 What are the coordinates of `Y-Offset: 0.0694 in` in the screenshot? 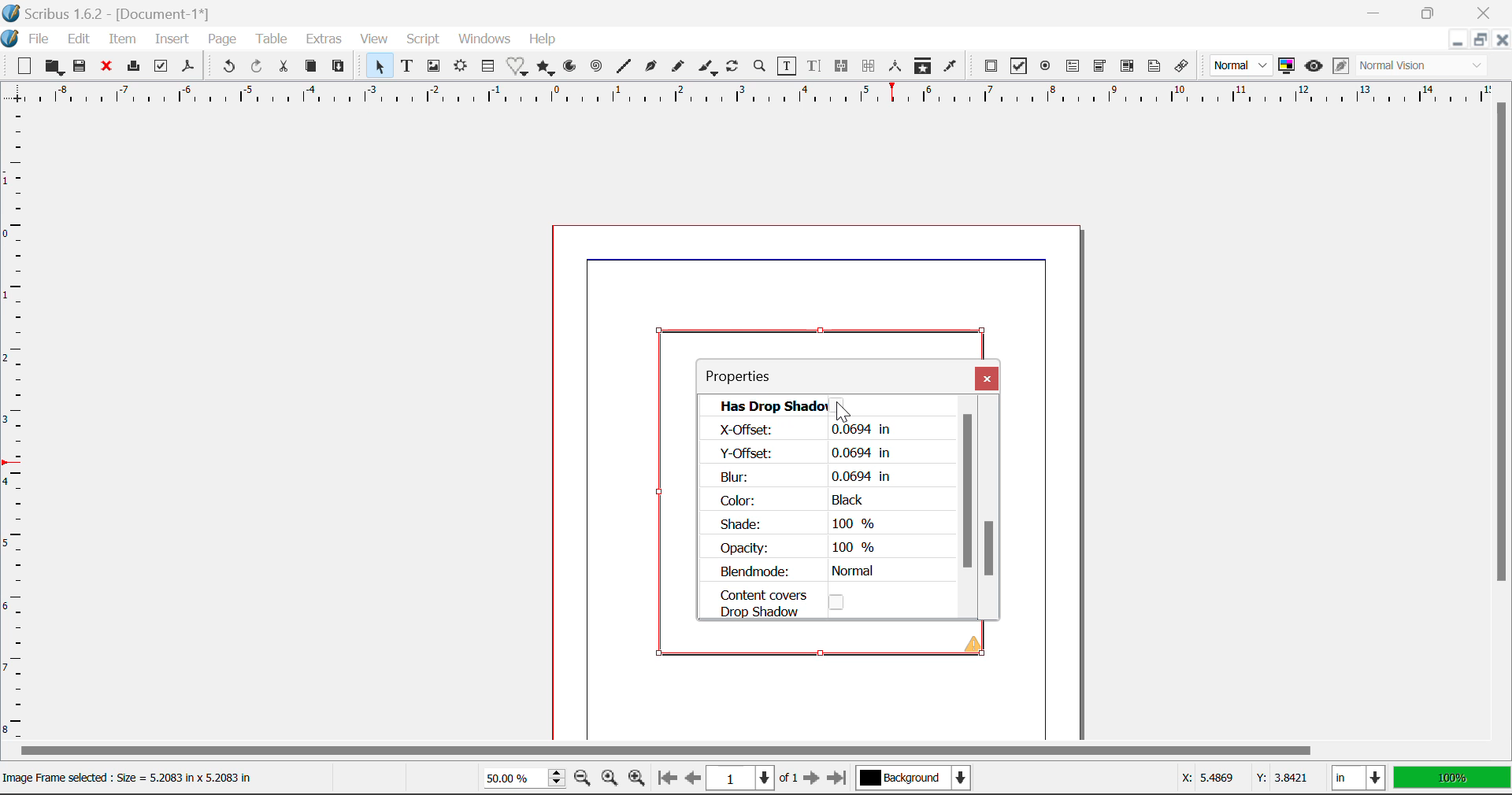 It's located at (806, 453).